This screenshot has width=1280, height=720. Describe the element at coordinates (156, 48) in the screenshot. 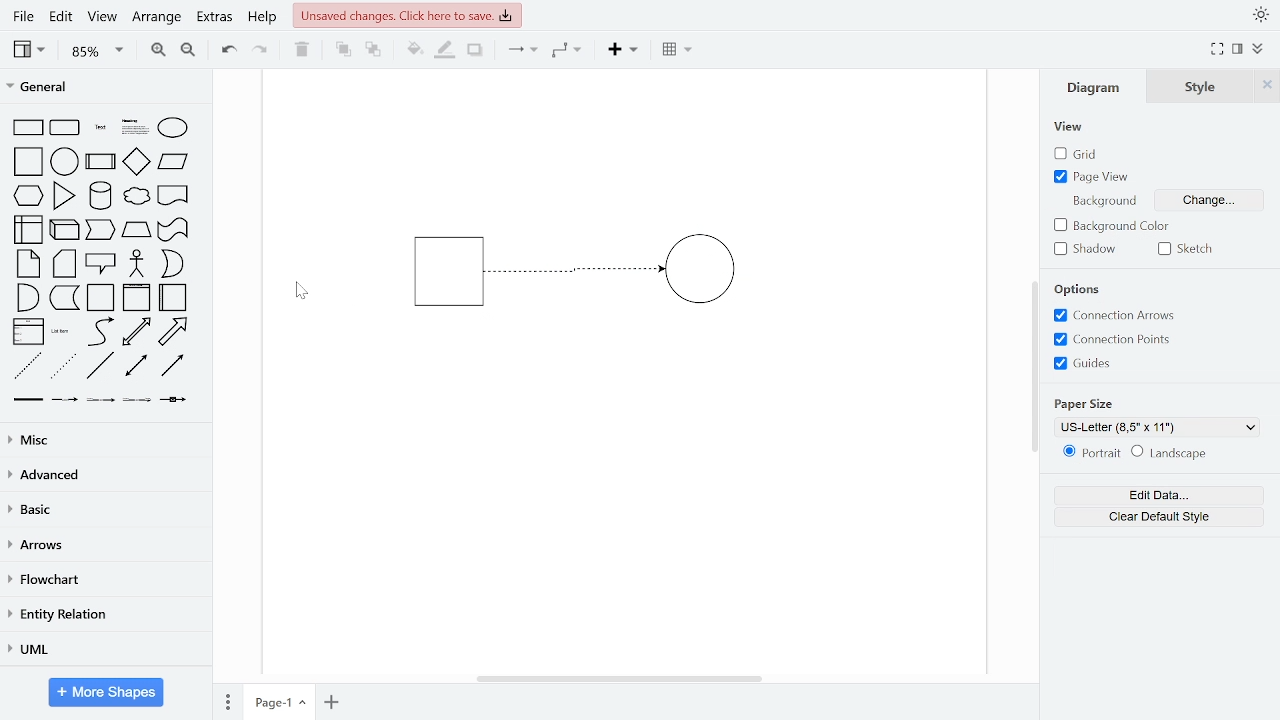

I see `zoom in` at that location.